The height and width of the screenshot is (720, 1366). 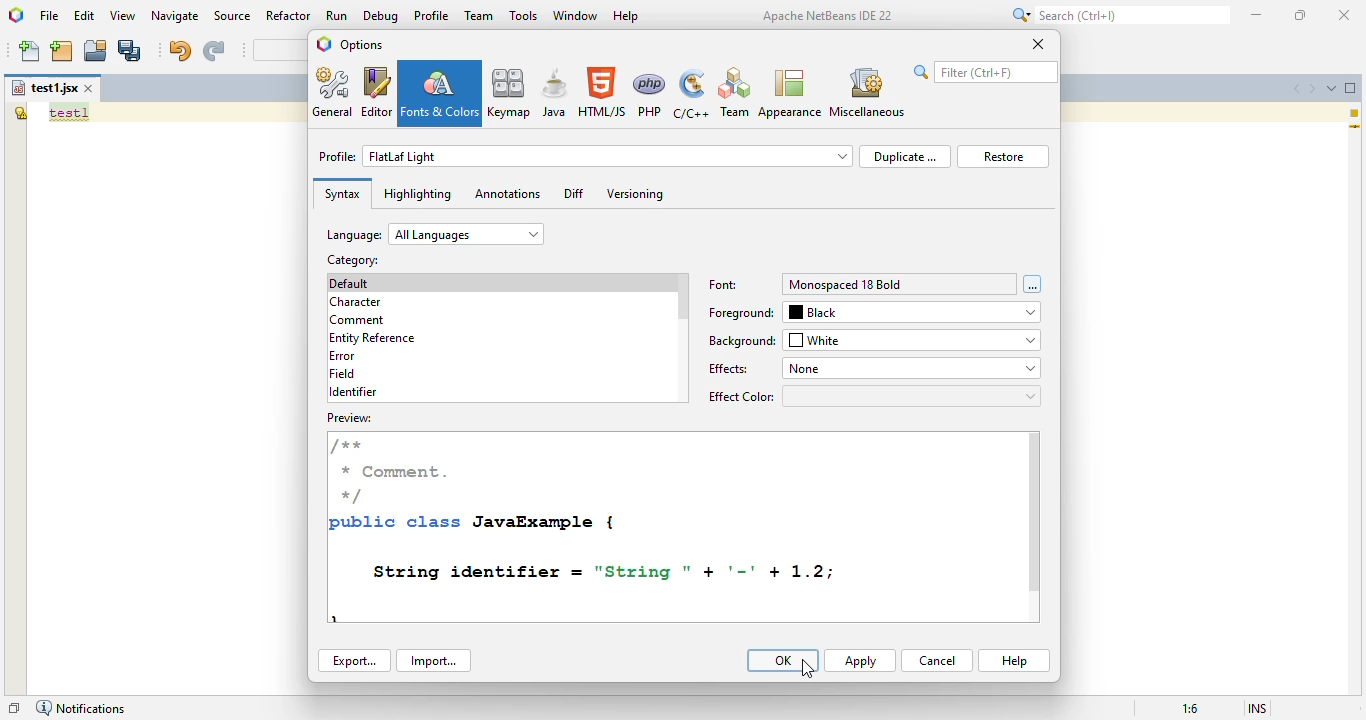 What do you see at coordinates (432, 15) in the screenshot?
I see `profile` at bounding box center [432, 15].